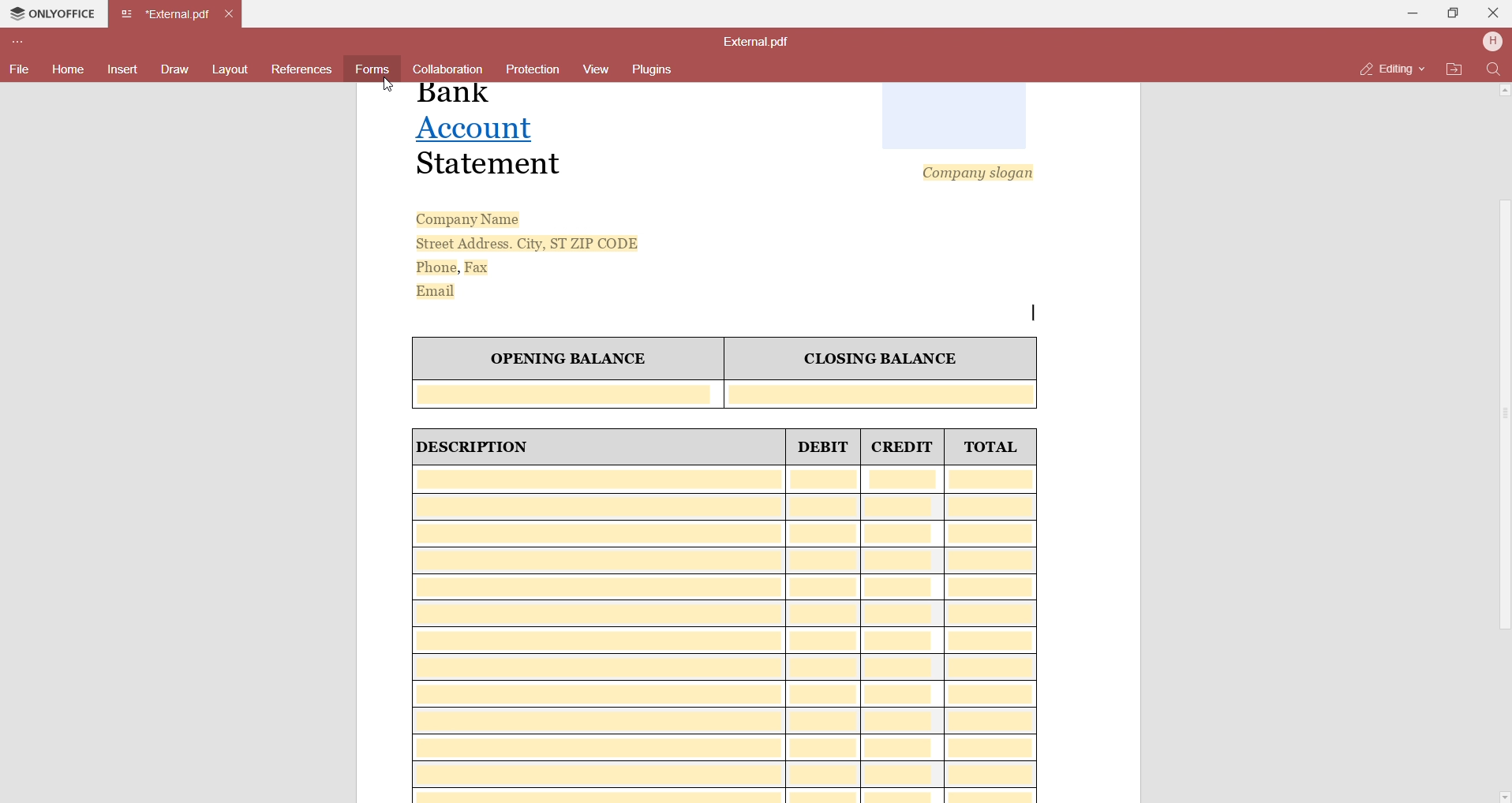 This screenshot has width=1512, height=803. What do you see at coordinates (166, 15) in the screenshot?
I see `Tab name(External.pdf)` at bounding box center [166, 15].